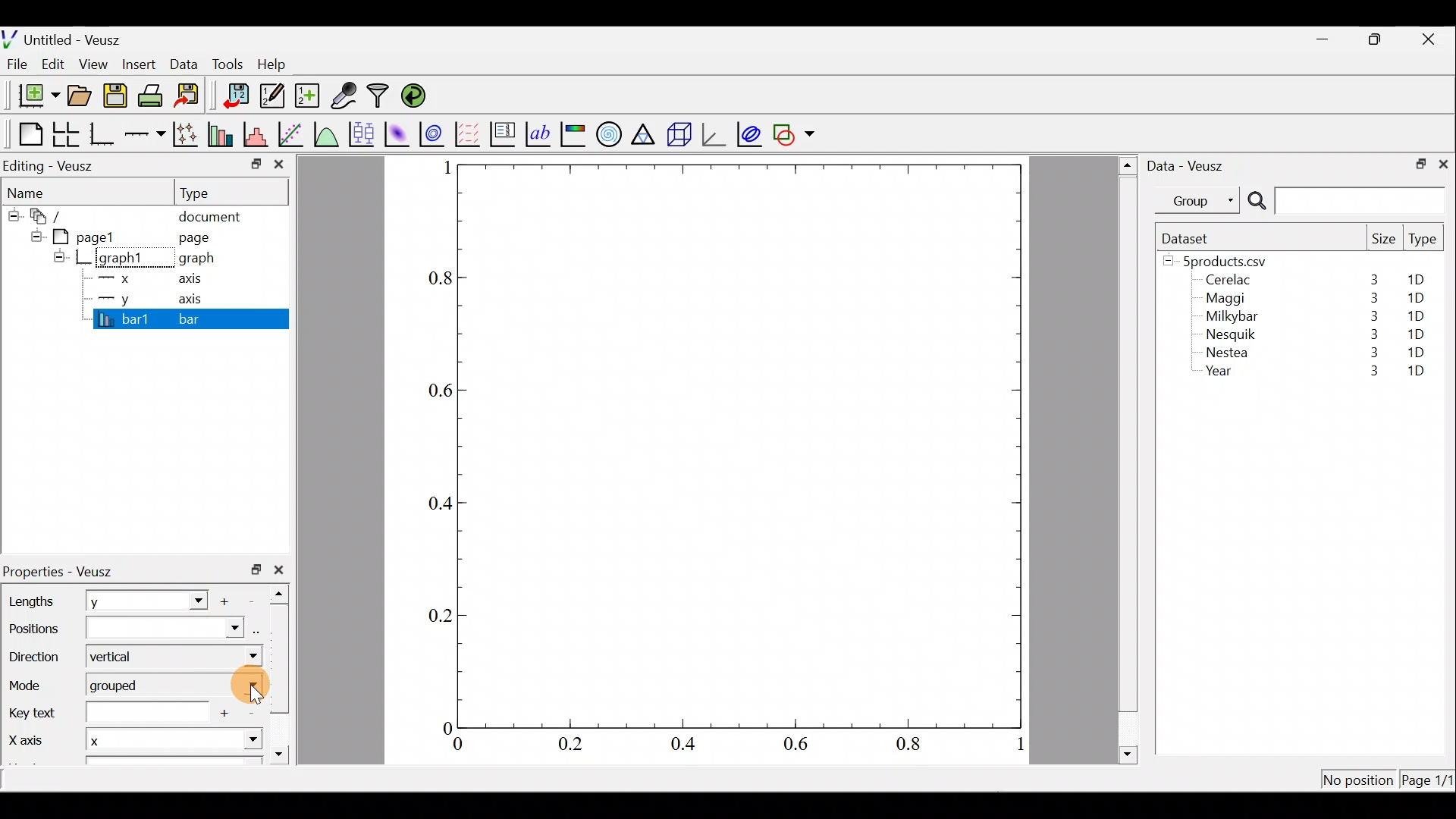 The image size is (1456, 819). Describe the element at coordinates (751, 133) in the screenshot. I see `plot covariance ellipses` at that location.